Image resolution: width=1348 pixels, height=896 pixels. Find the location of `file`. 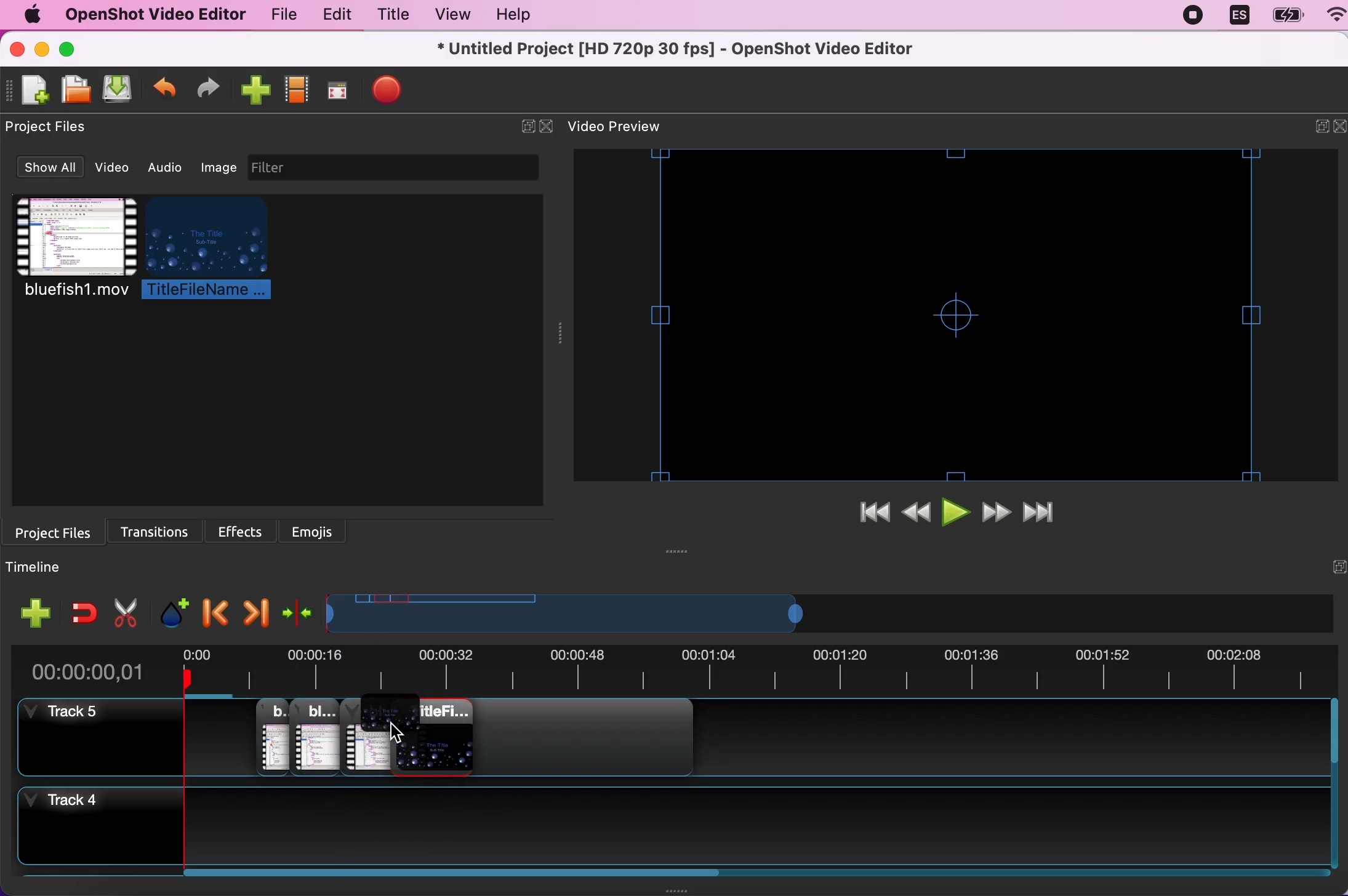

file is located at coordinates (279, 17).